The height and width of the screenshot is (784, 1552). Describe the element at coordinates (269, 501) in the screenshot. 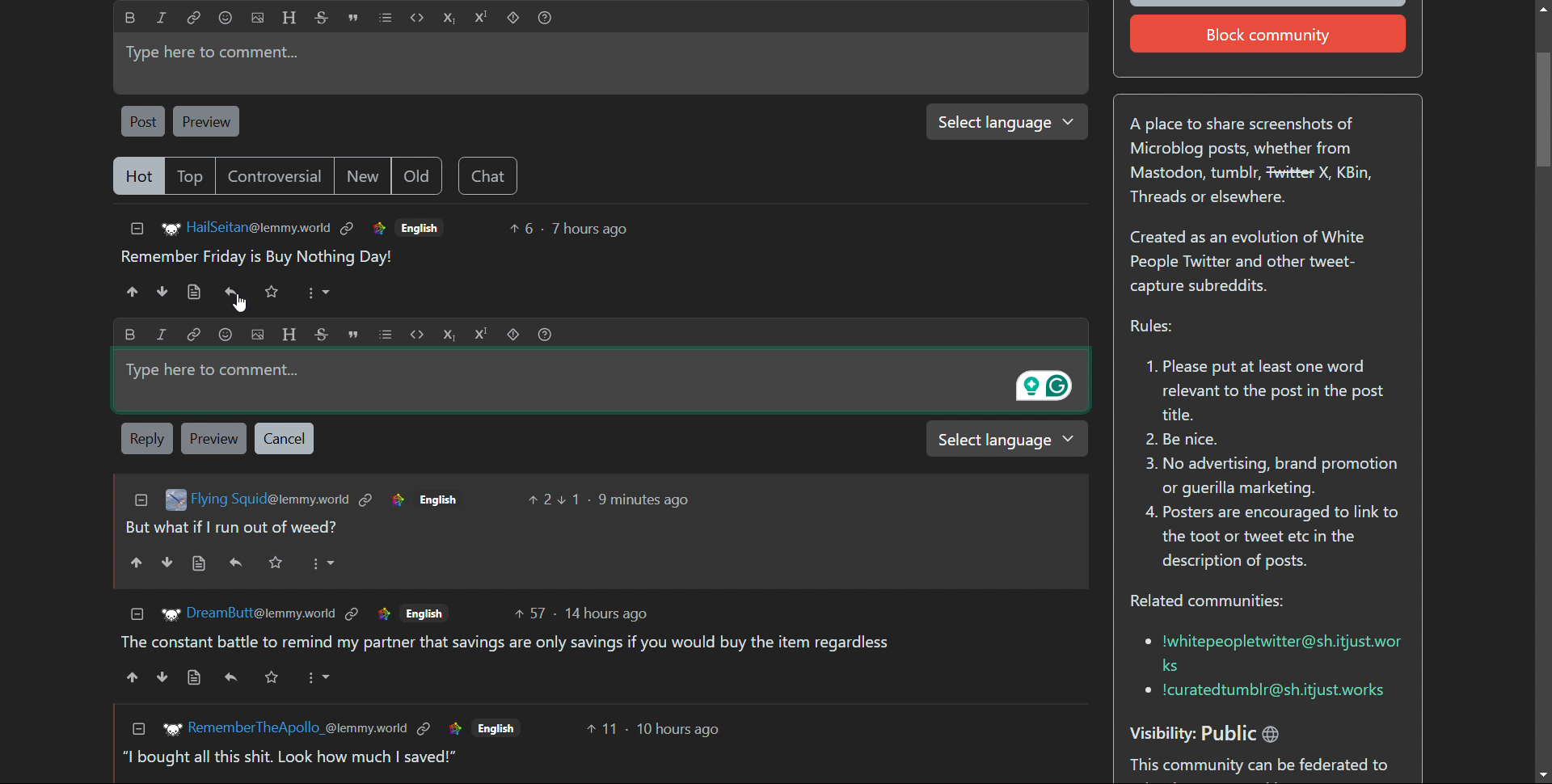

I see `username` at that location.